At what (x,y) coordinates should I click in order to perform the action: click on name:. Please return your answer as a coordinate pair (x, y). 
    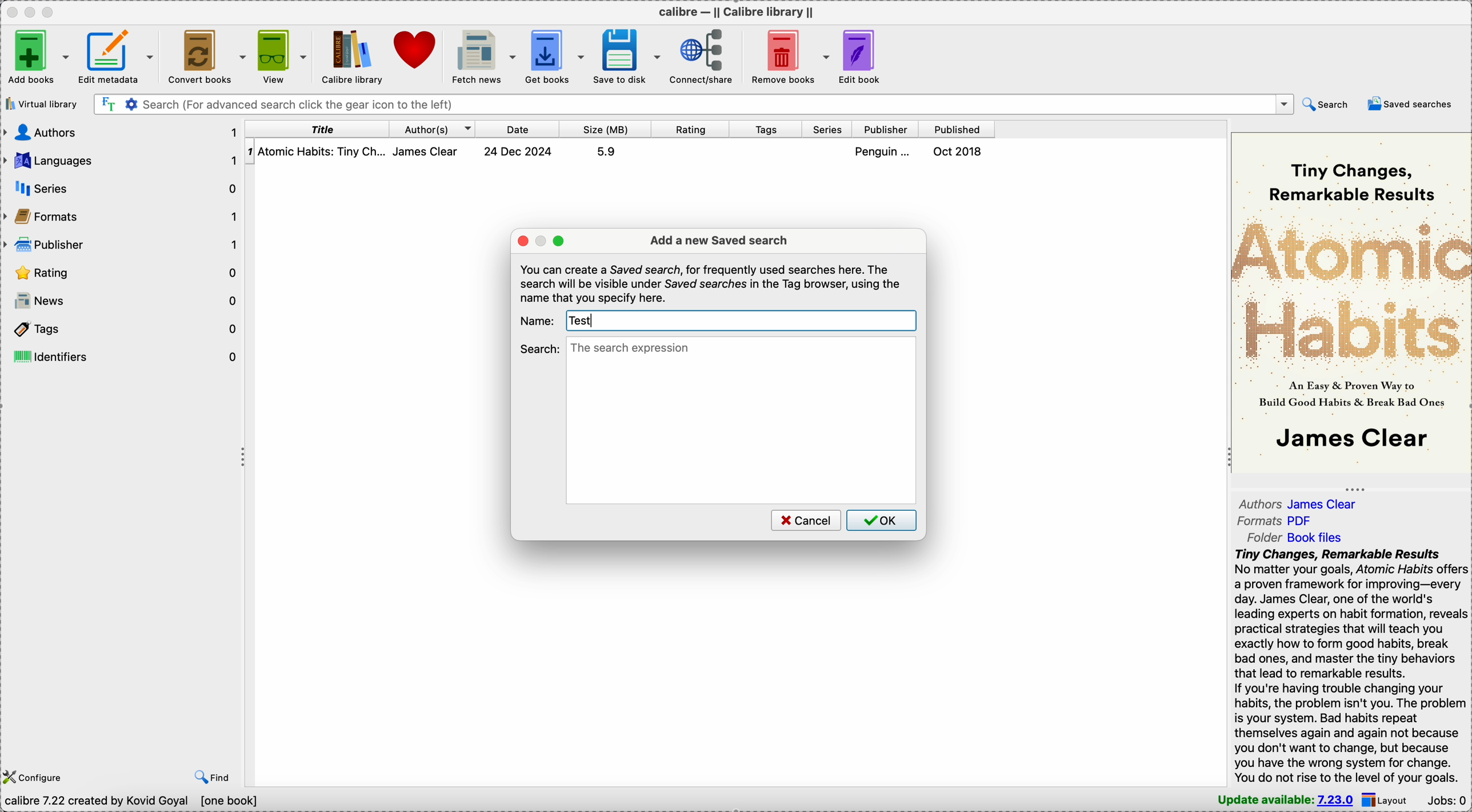
    Looking at the image, I should click on (538, 320).